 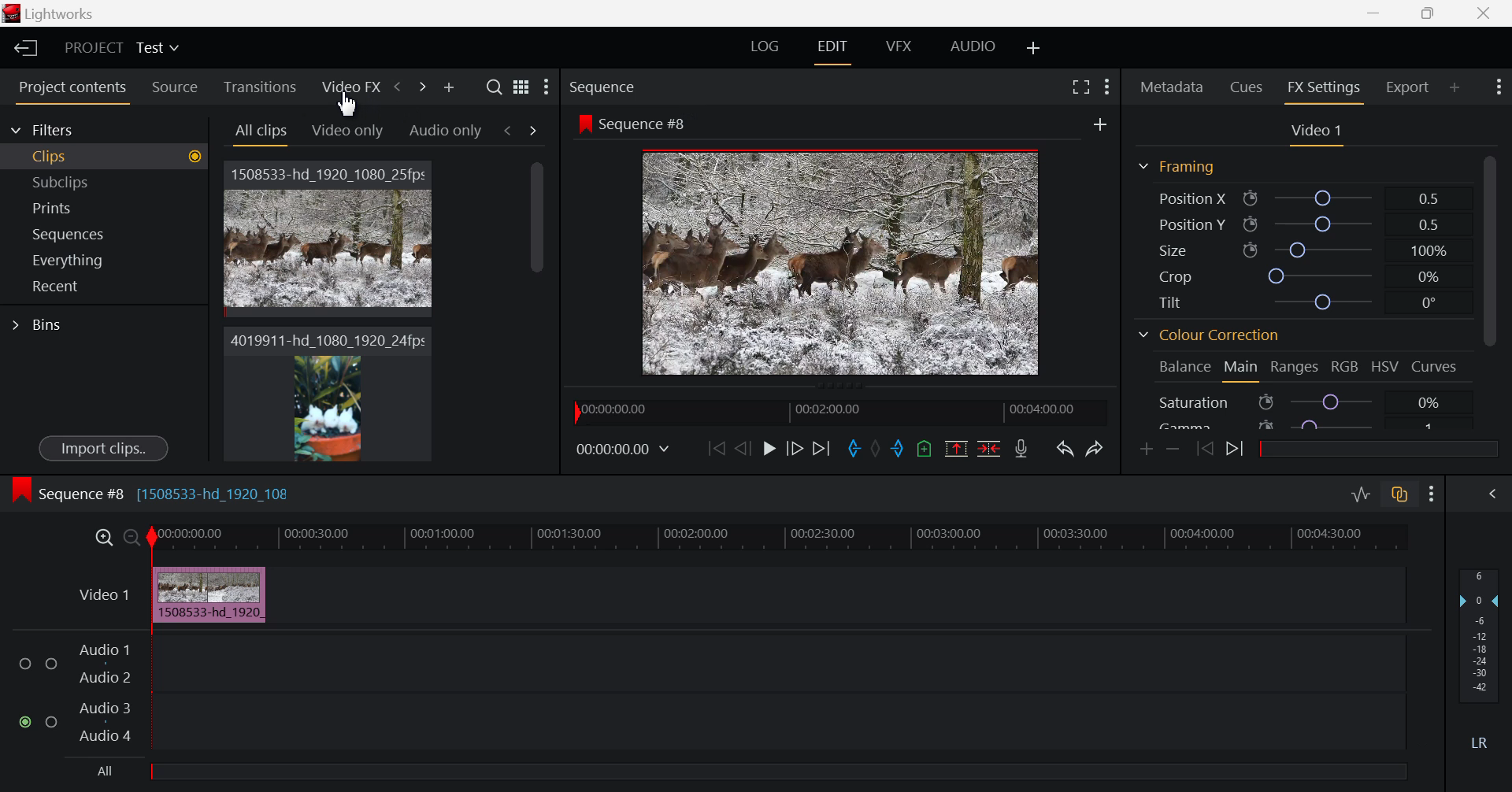 I want to click on Framing Section, so click(x=1178, y=165).